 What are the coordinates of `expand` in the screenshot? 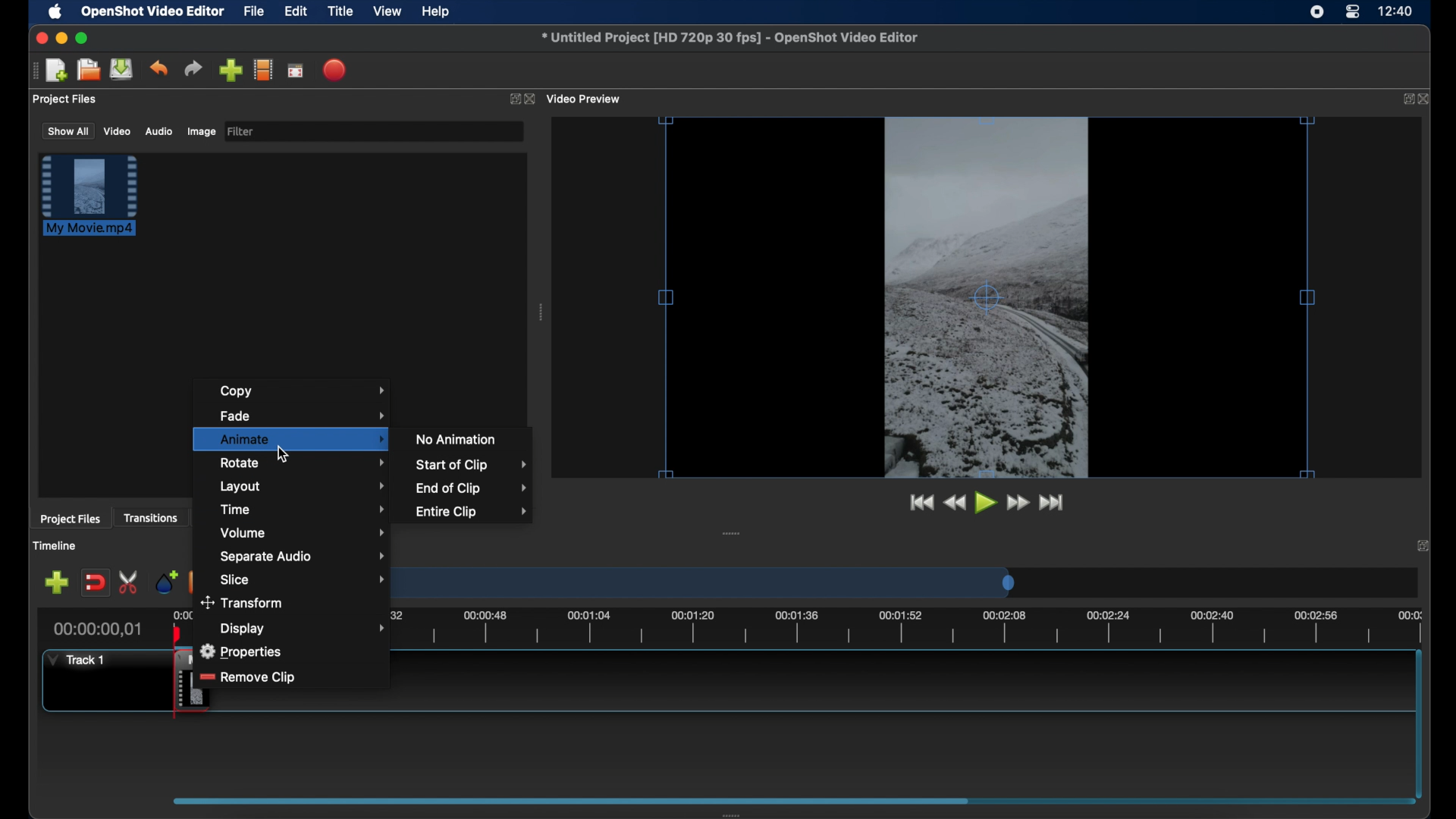 It's located at (511, 101).